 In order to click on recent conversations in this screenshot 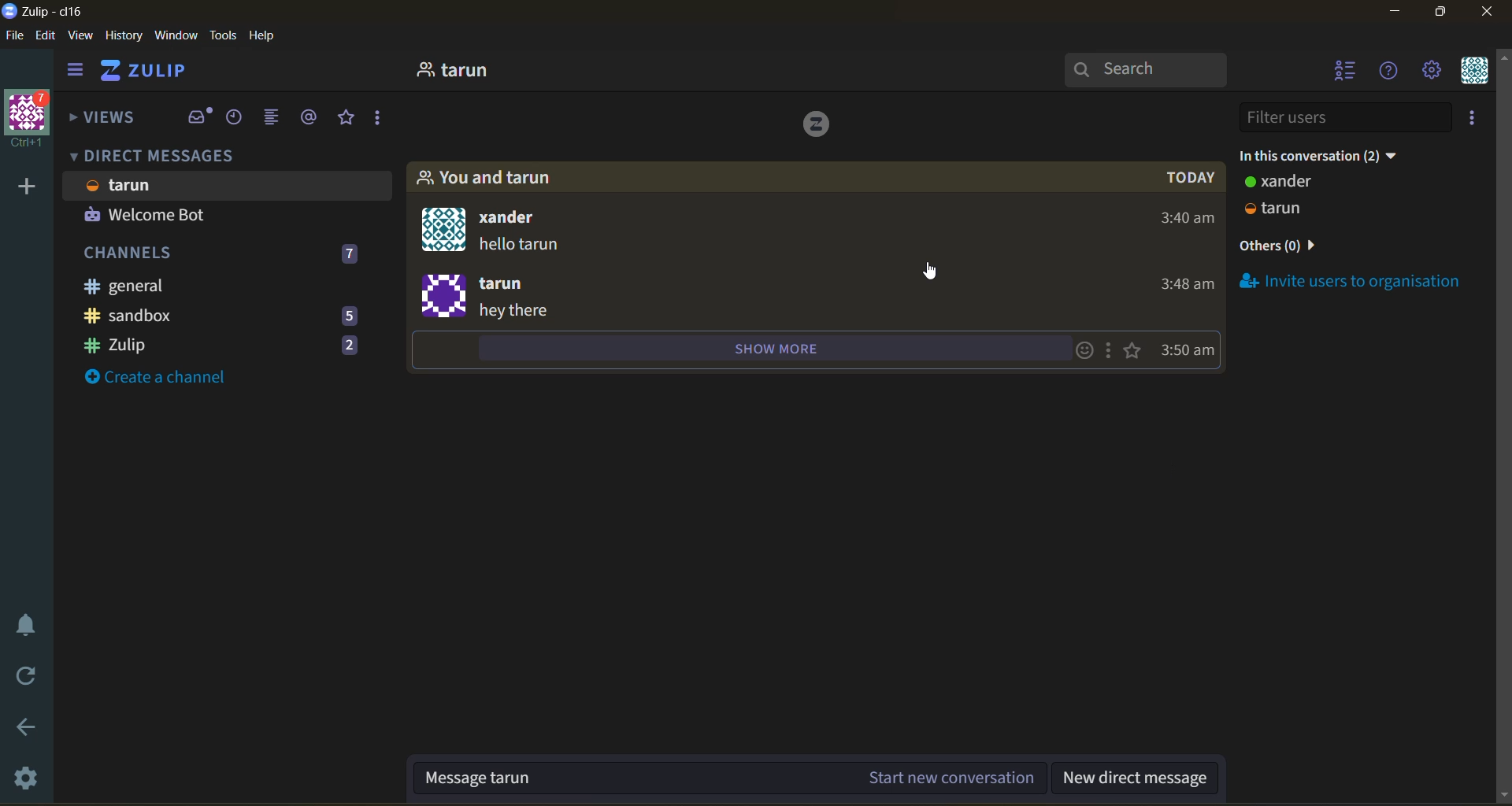, I will do `click(234, 121)`.